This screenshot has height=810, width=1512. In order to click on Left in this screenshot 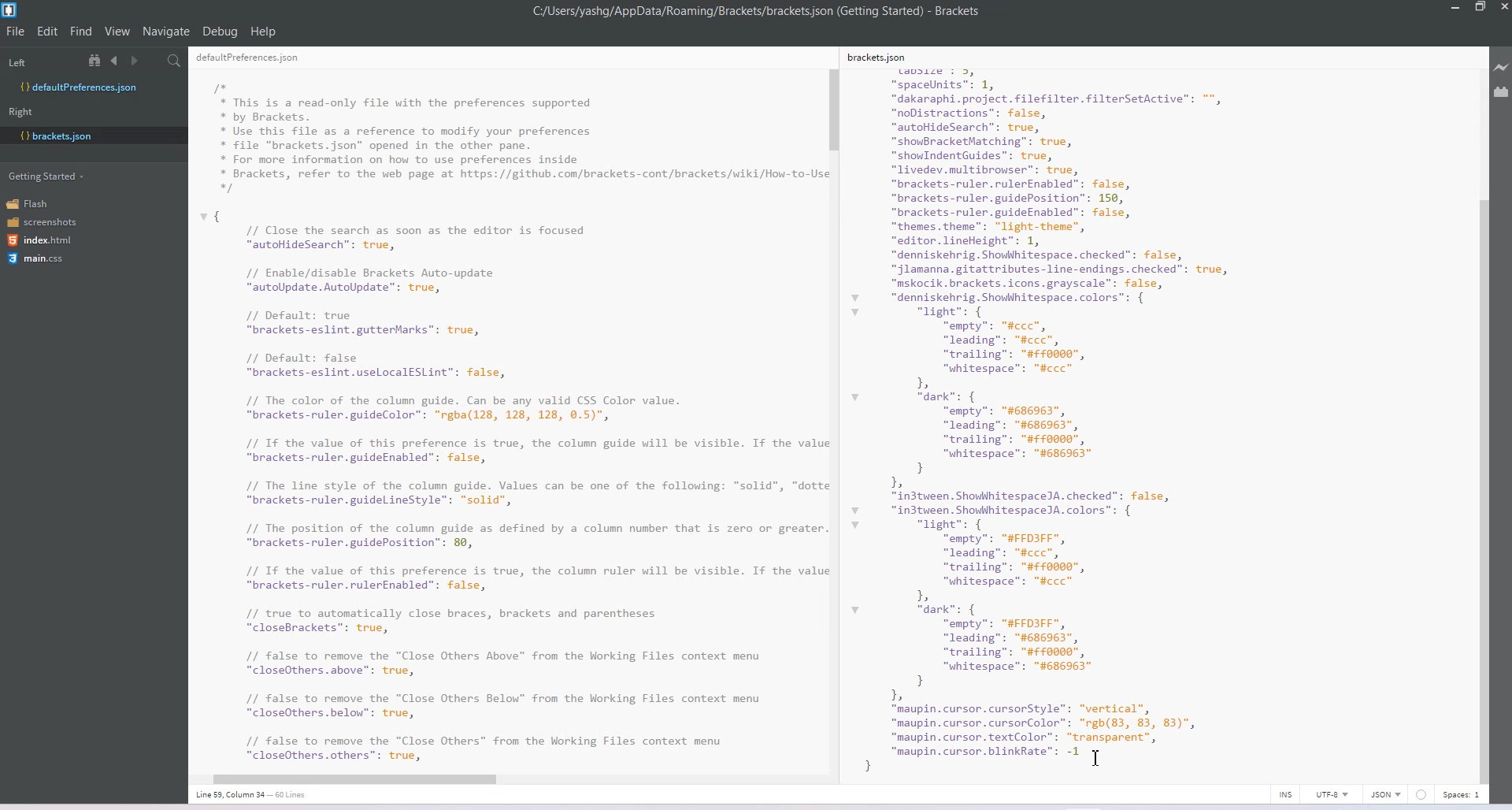, I will do `click(17, 63)`.